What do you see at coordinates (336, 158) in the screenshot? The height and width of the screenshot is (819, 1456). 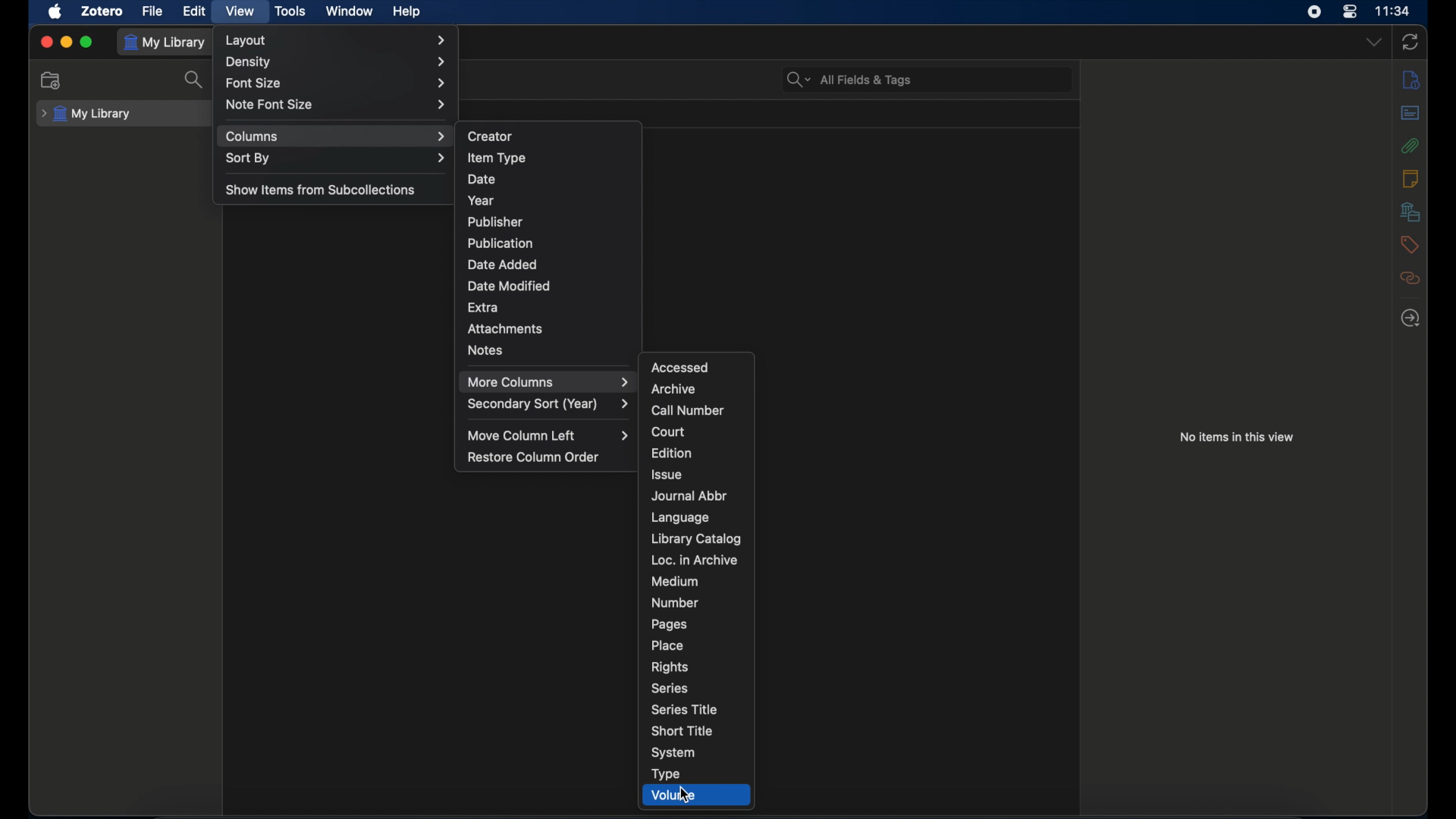 I see `sort by` at bounding box center [336, 158].